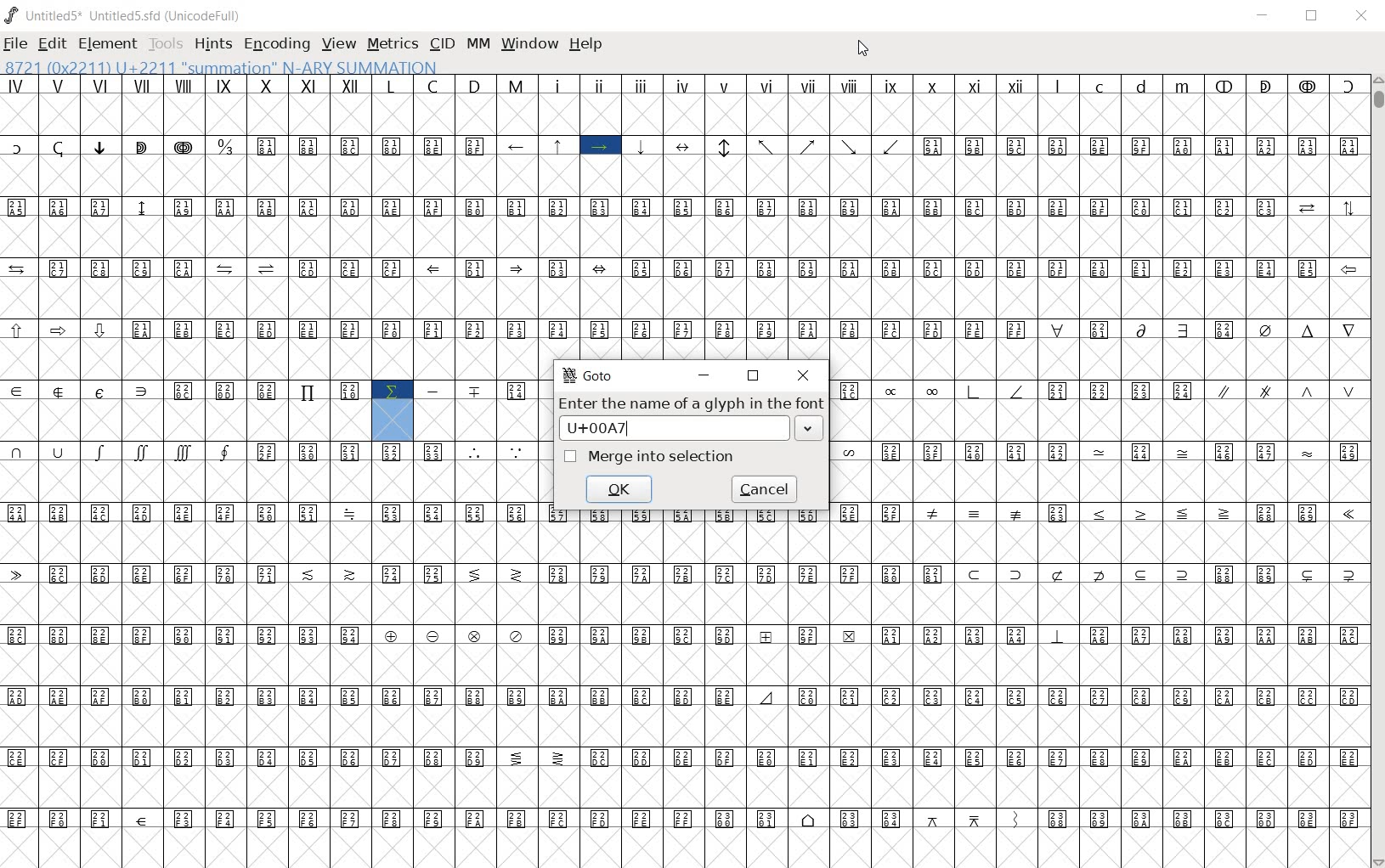  Describe the element at coordinates (1288, 82) in the screenshot. I see `special symbols` at that location.